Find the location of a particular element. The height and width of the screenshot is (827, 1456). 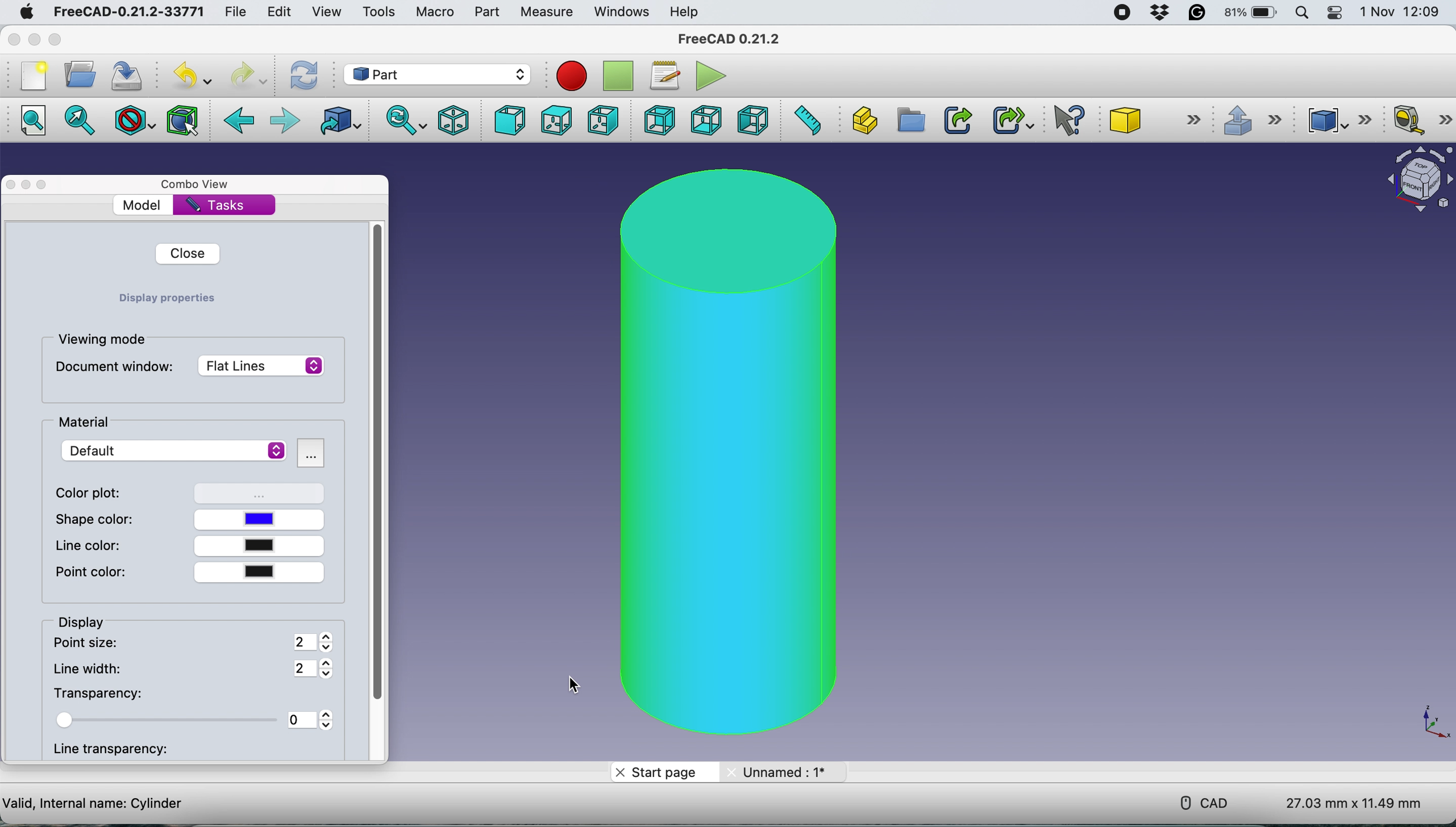

bounding box is located at coordinates (182, 120).